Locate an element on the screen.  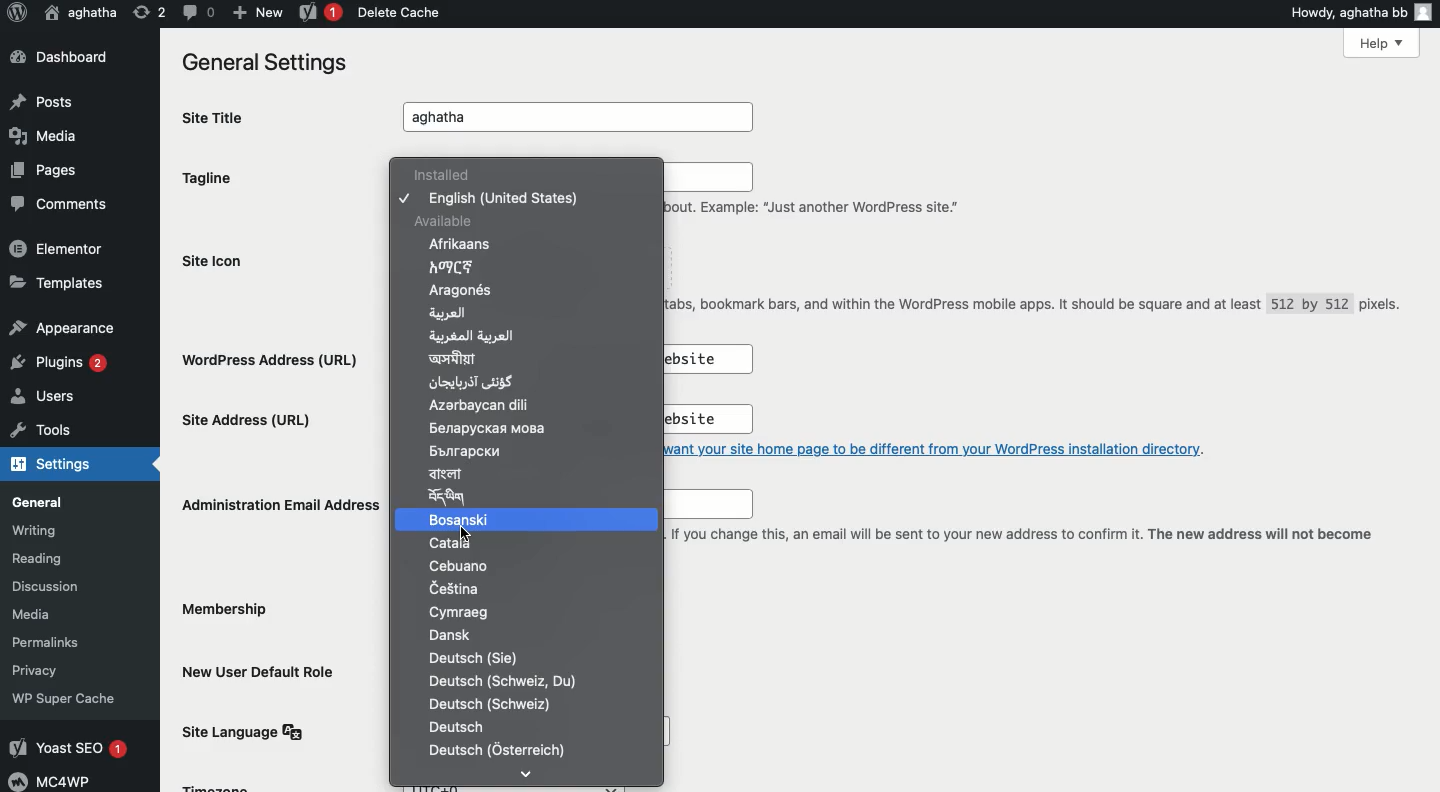
Delete cache is located at coordinates (396, 12).